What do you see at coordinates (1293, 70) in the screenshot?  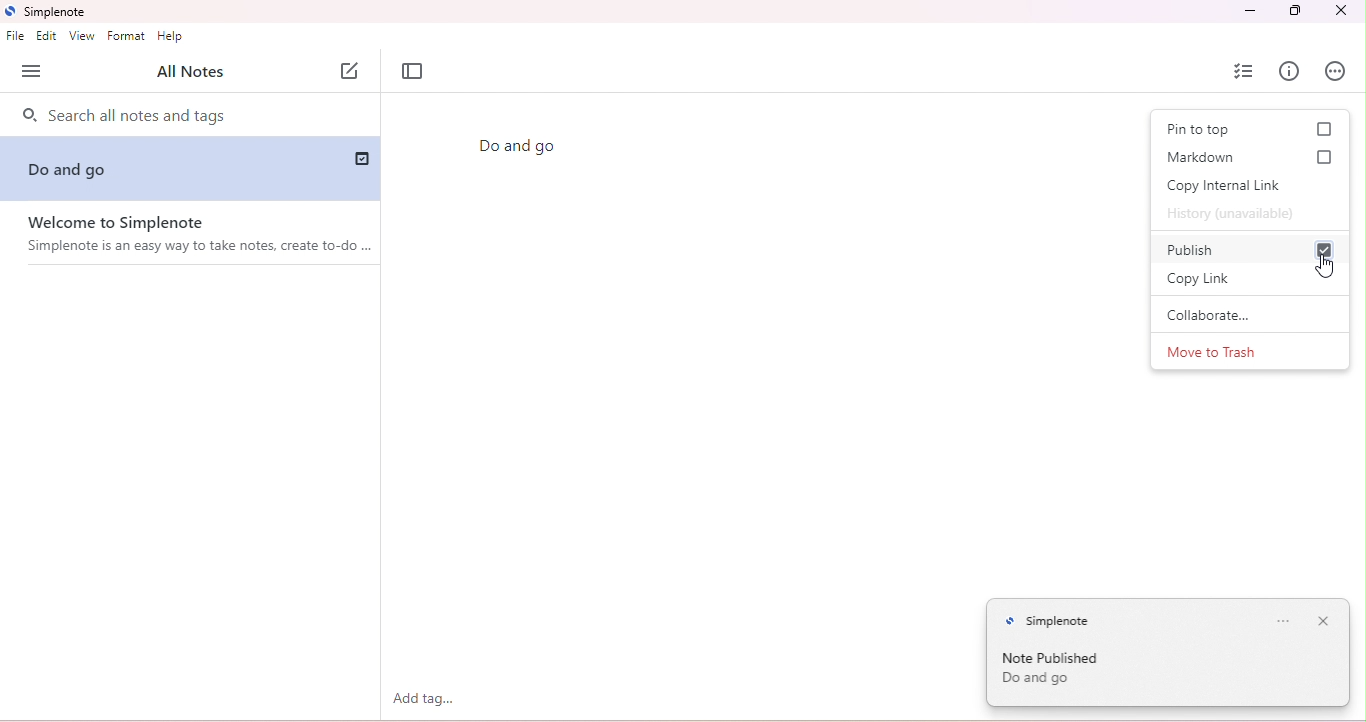 I see `info` at bounding box center [1293, 70].